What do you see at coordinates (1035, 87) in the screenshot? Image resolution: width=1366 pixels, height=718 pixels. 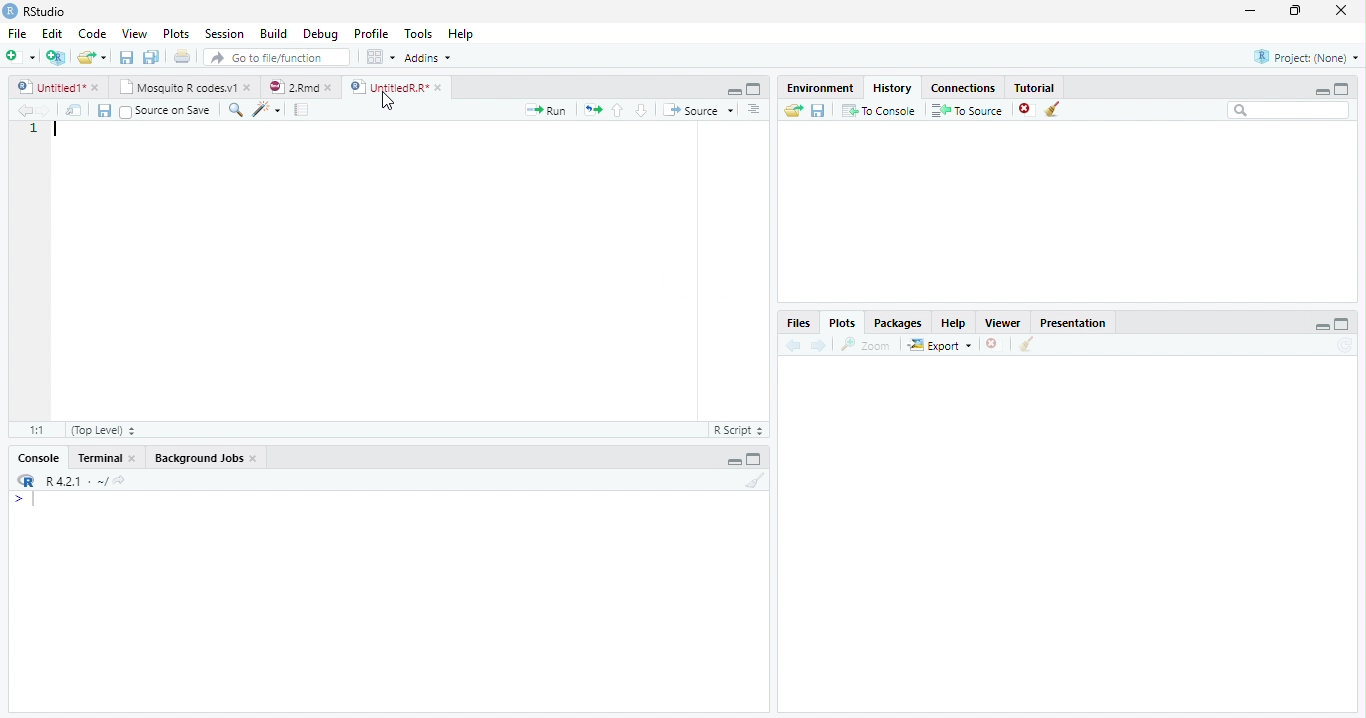 I see `Tutorial` at bounding box center [1035, 87].